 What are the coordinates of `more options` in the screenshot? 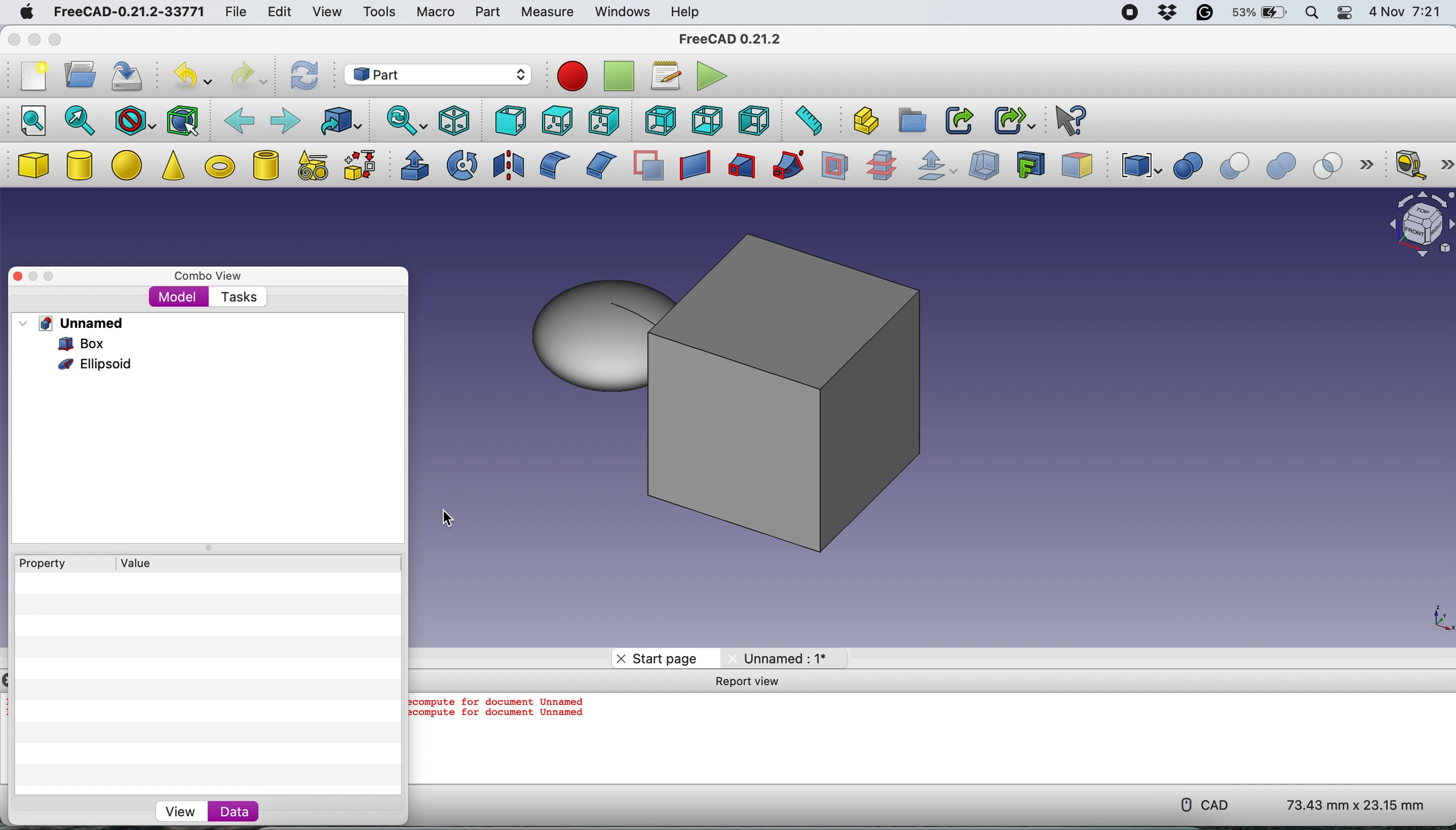 It's located at (1447, 164).